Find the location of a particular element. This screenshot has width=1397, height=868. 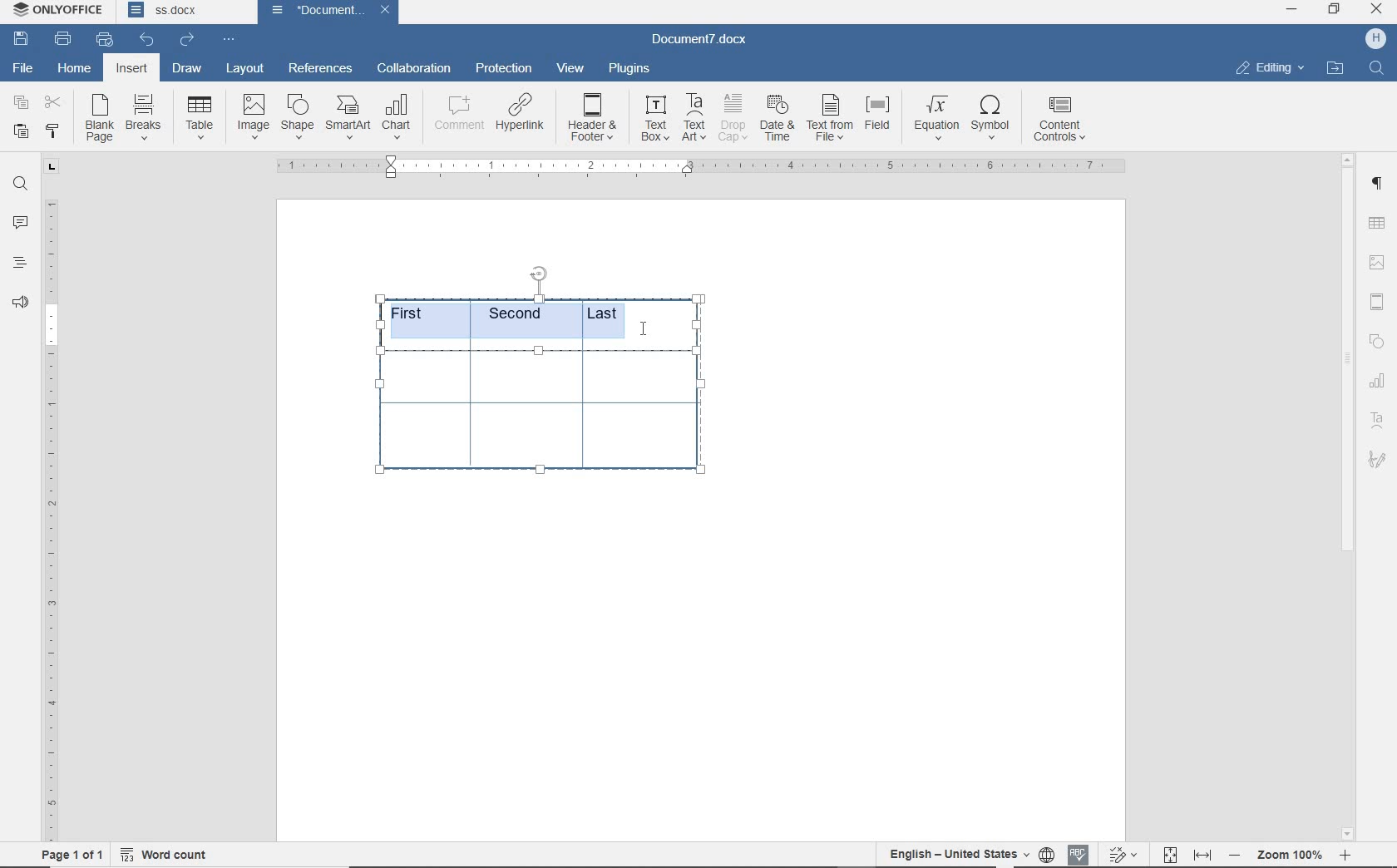

shape is located at coordinates (298, 116).